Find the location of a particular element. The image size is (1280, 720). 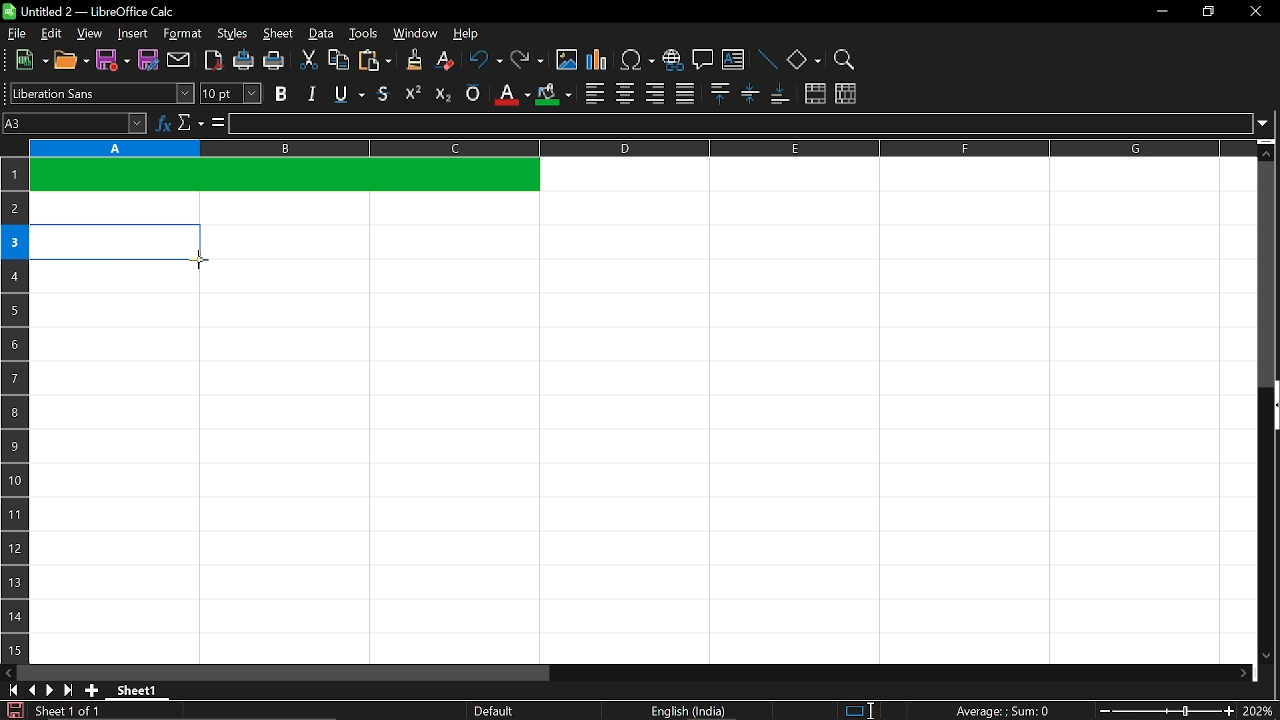

data is located at coordinates (322, 35).